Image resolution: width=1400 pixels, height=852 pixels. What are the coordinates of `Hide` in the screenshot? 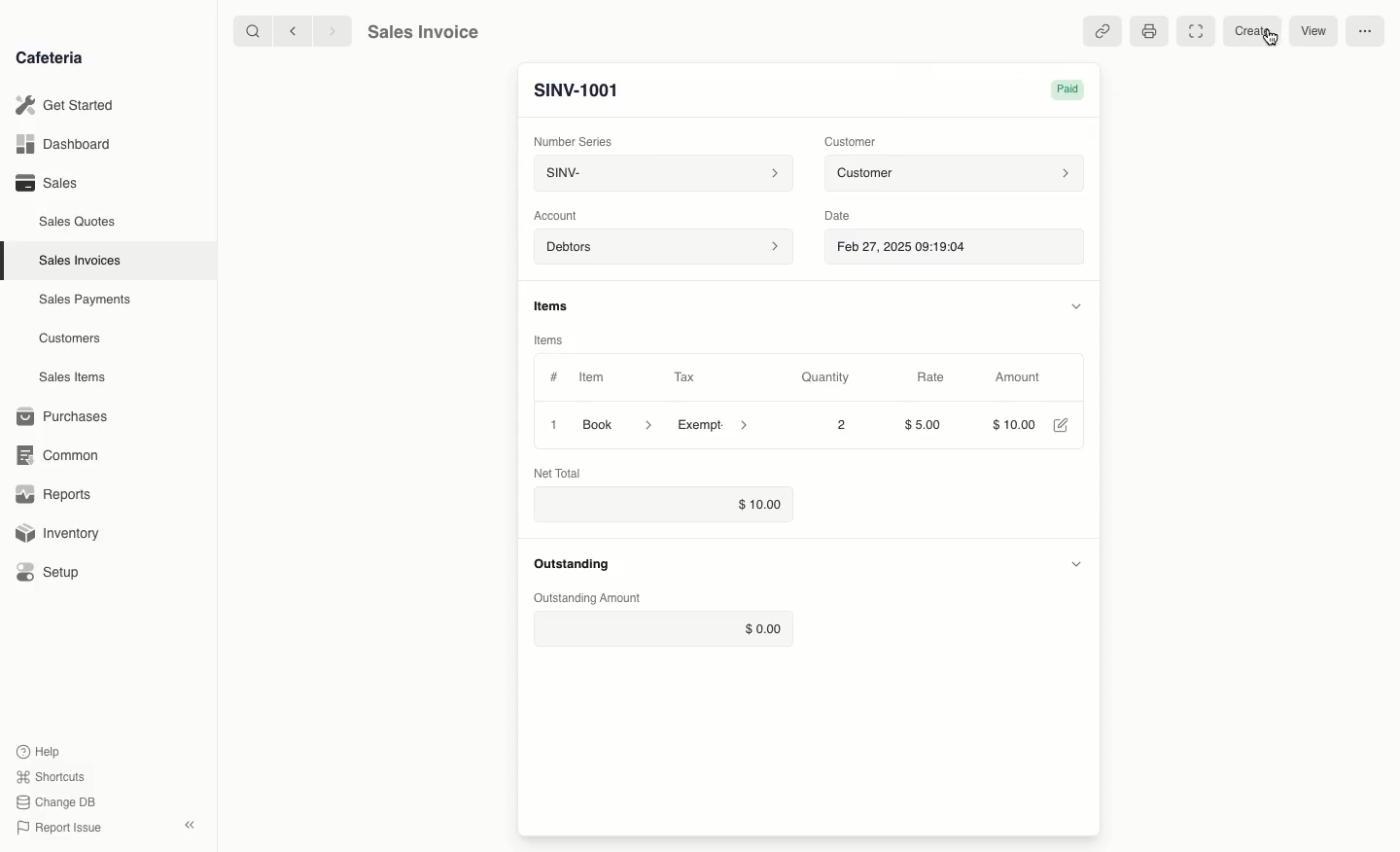 It's located at (1075, 560).